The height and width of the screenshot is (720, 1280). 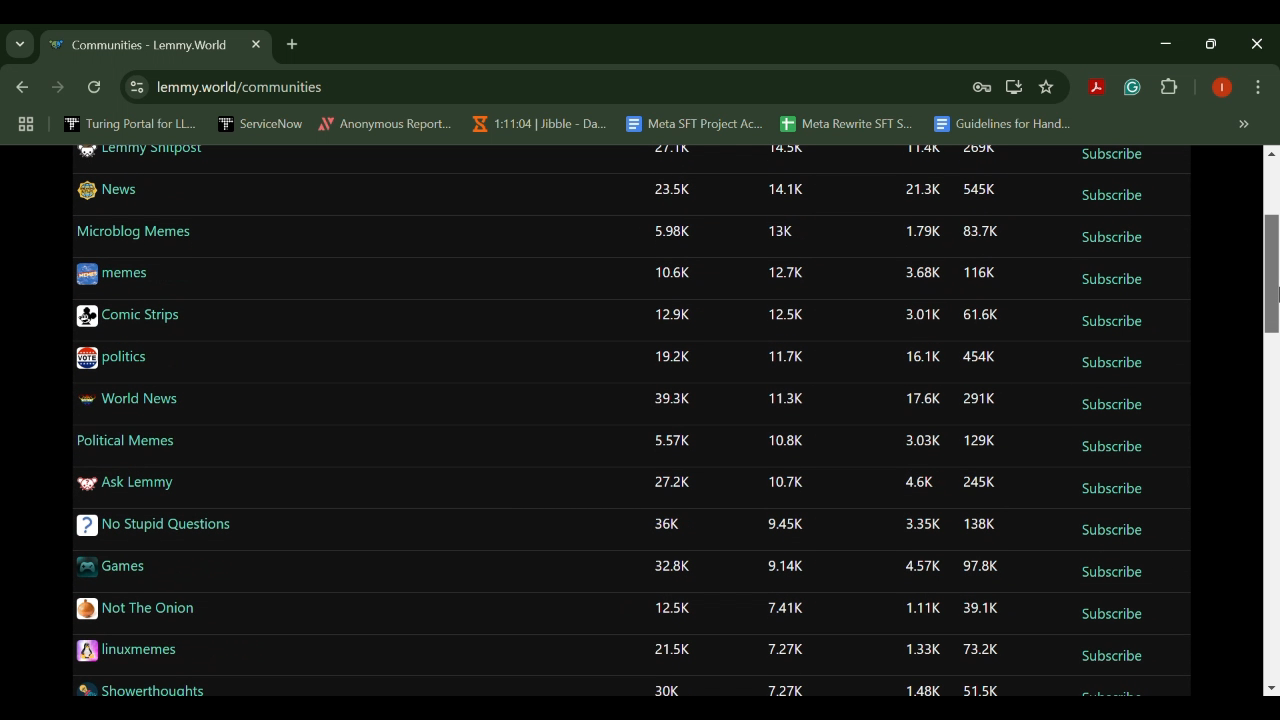 I want to click on Next Webpage, so click(x=58, y=90).